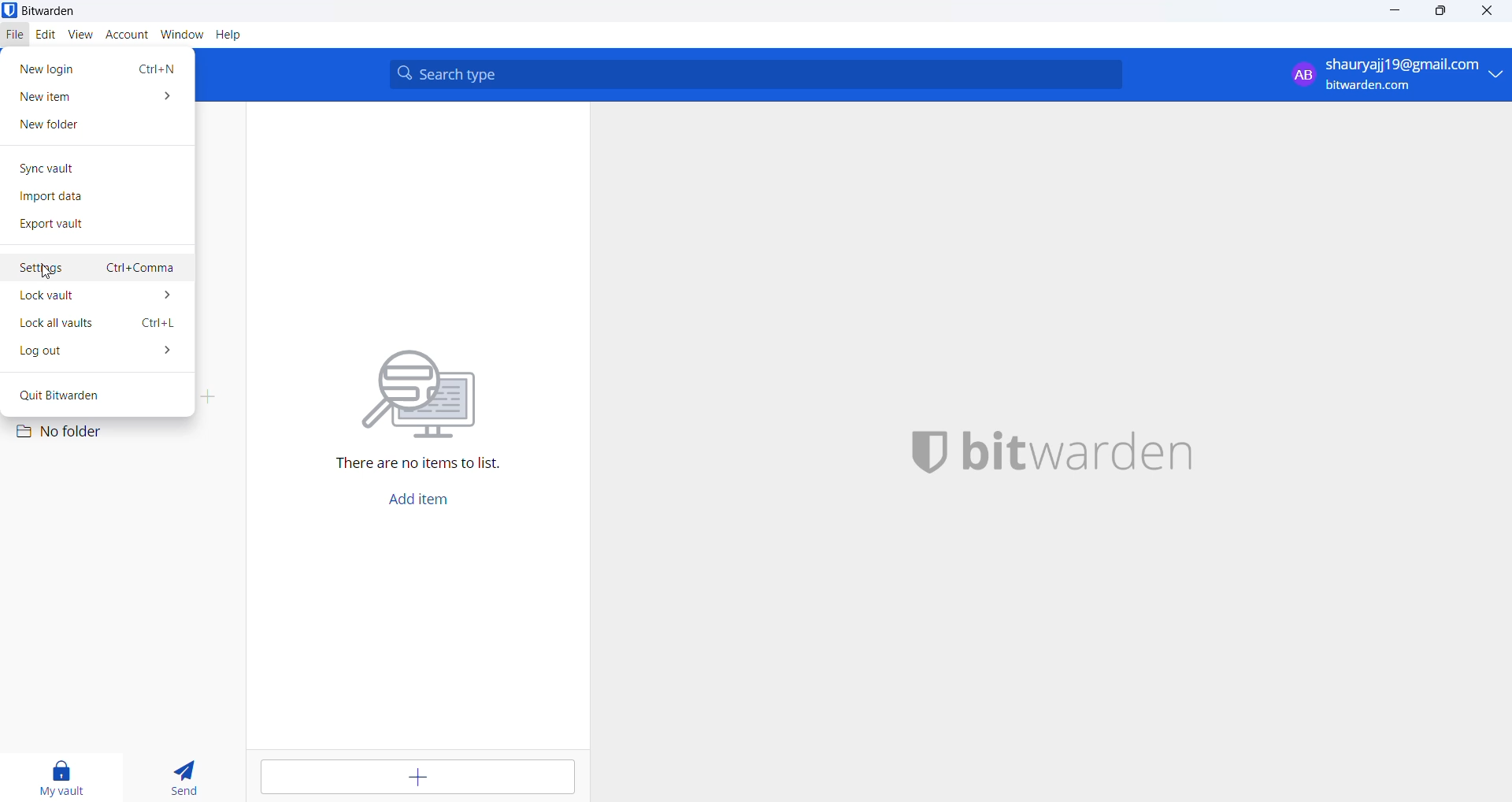 The image size is (1512, 802). What do you see at coordinates (50, 273) in the screenshot?
I see `cursor` at bounding box center [50, 273].